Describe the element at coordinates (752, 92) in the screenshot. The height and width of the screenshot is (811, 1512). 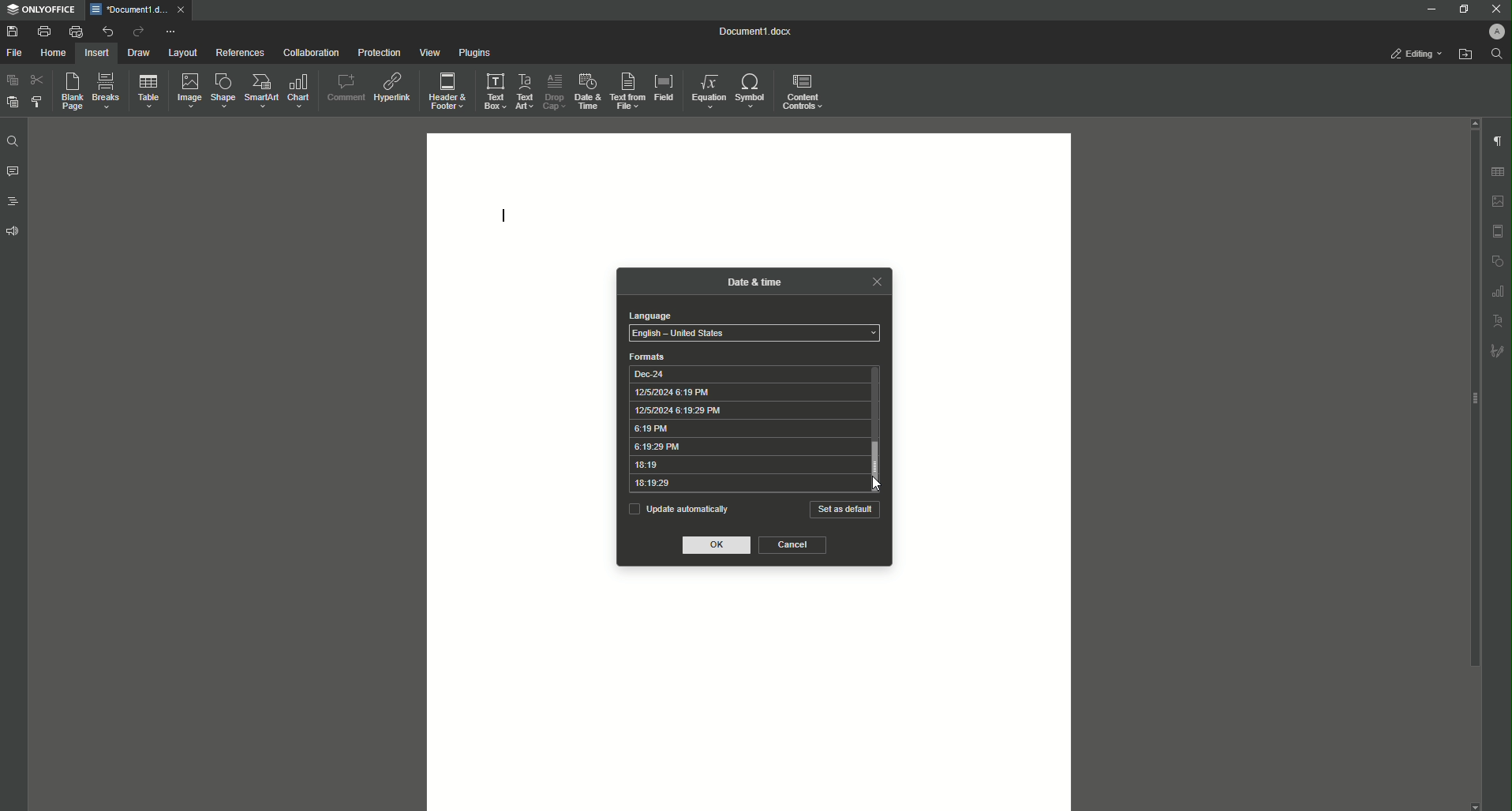
I see `Symbol` at that location.